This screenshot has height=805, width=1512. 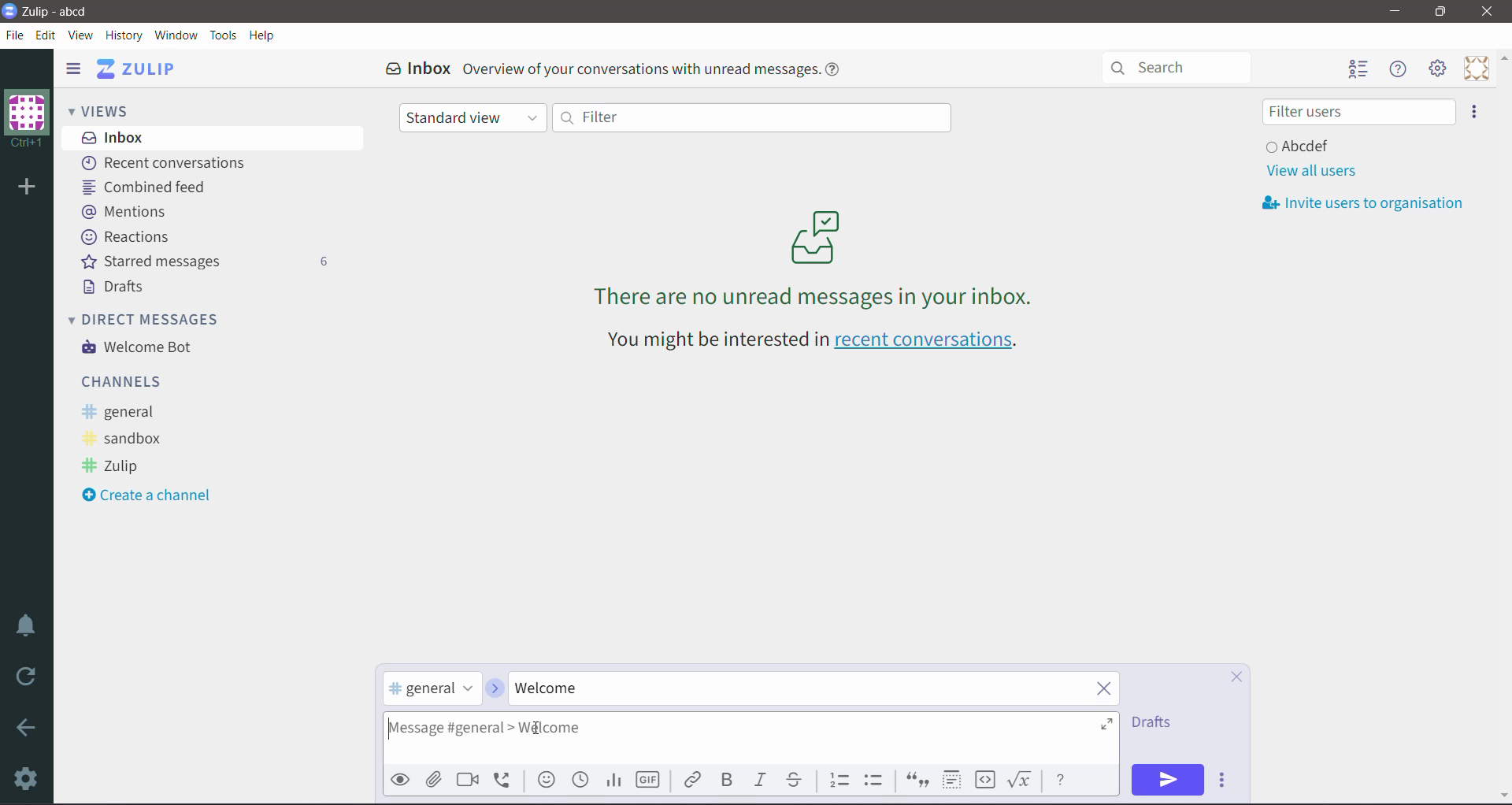 I want to click on Add organization, so click(x=25, y=188).